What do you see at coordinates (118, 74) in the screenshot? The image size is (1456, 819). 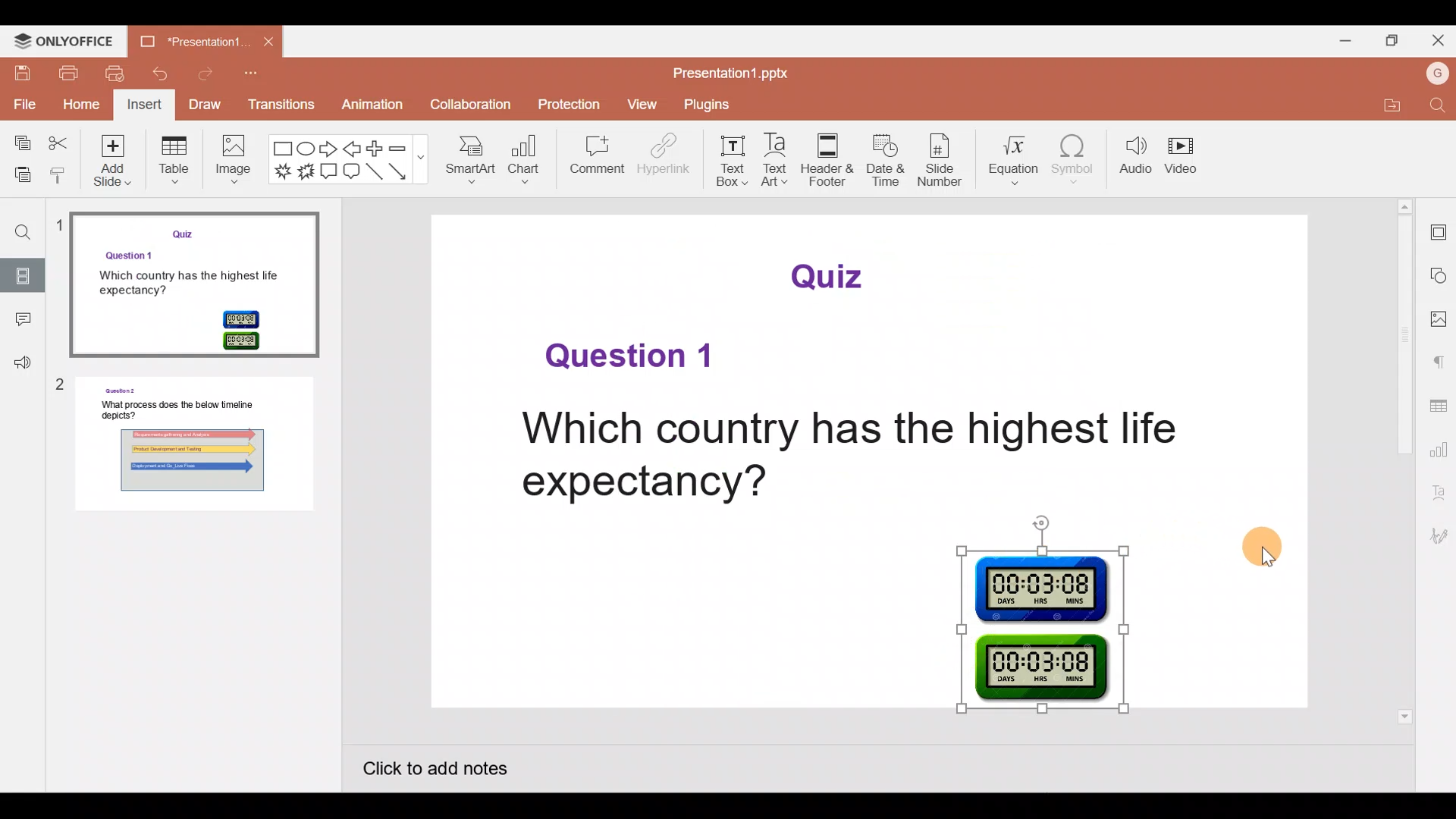 I see `Quick print` at bounding box center [118, 74].